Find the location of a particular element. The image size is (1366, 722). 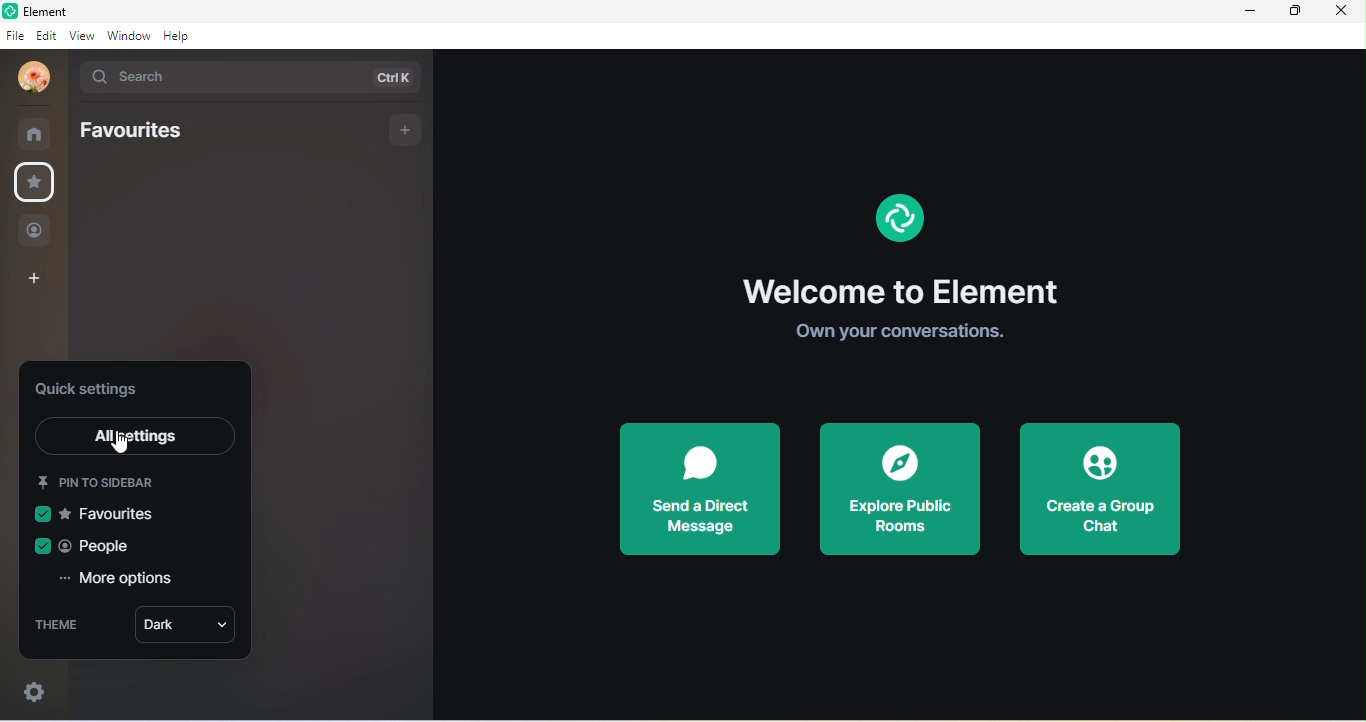

edit is located at coordinates (47, 36).